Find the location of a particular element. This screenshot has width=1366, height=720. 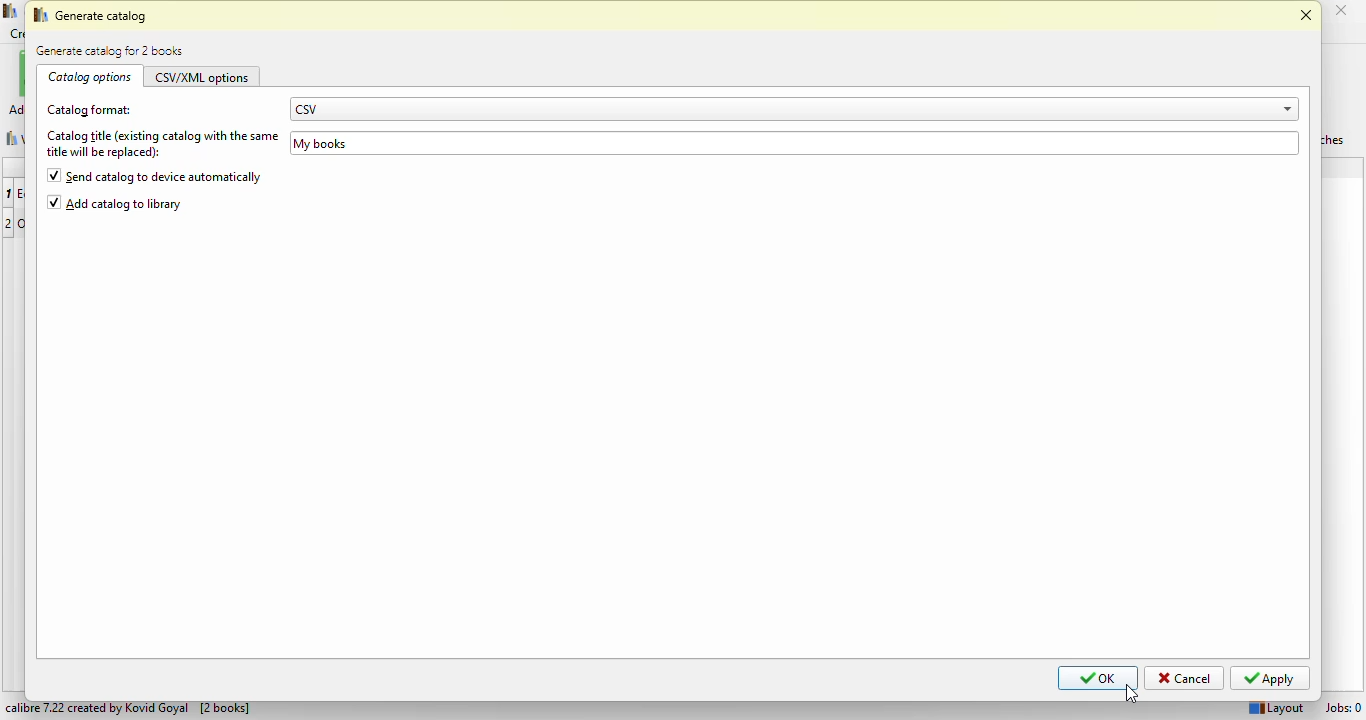

cursor is located at coordinates (1130, 694).